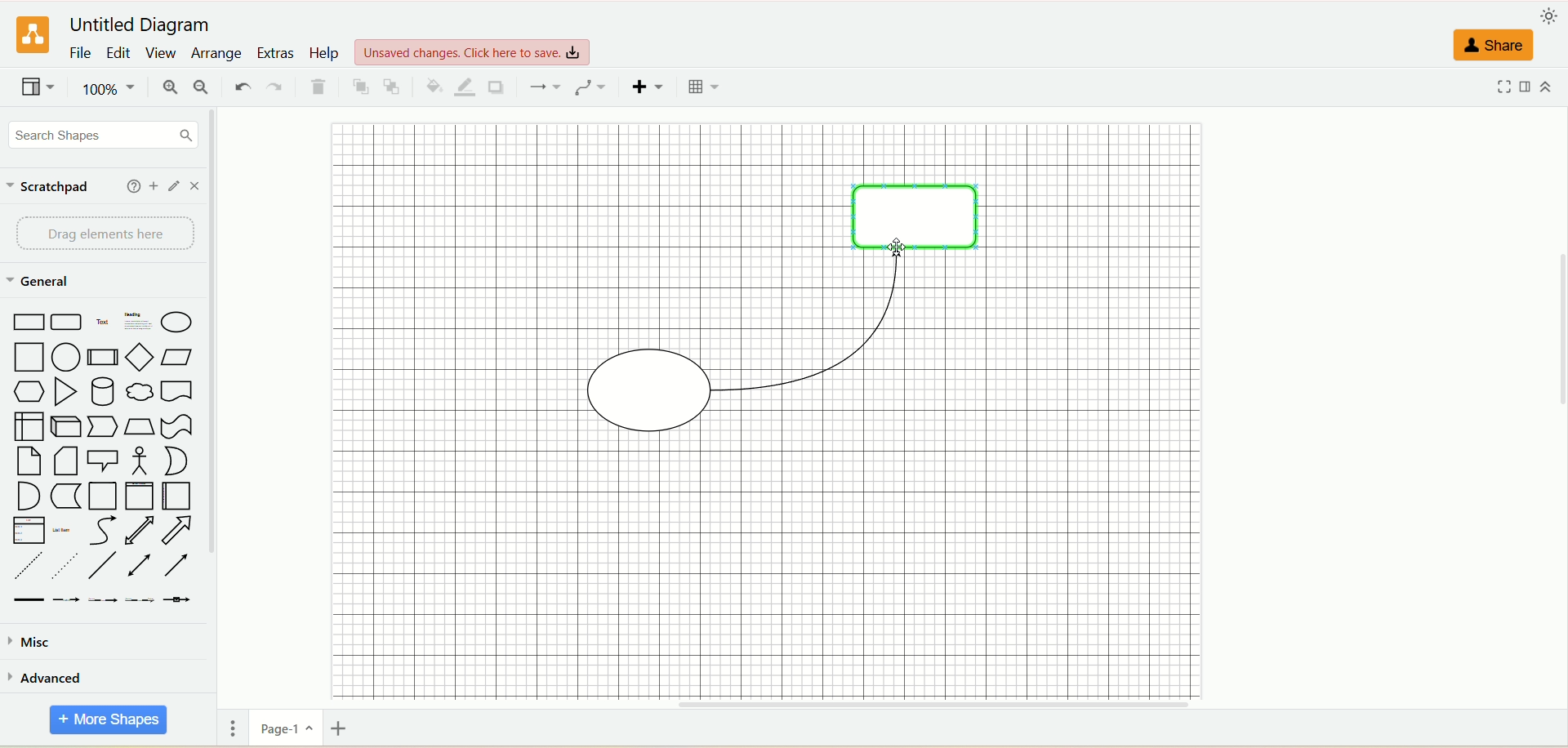 The width and height of the screenshot is (1568, 748). I want to click on view, so click(163, 53).